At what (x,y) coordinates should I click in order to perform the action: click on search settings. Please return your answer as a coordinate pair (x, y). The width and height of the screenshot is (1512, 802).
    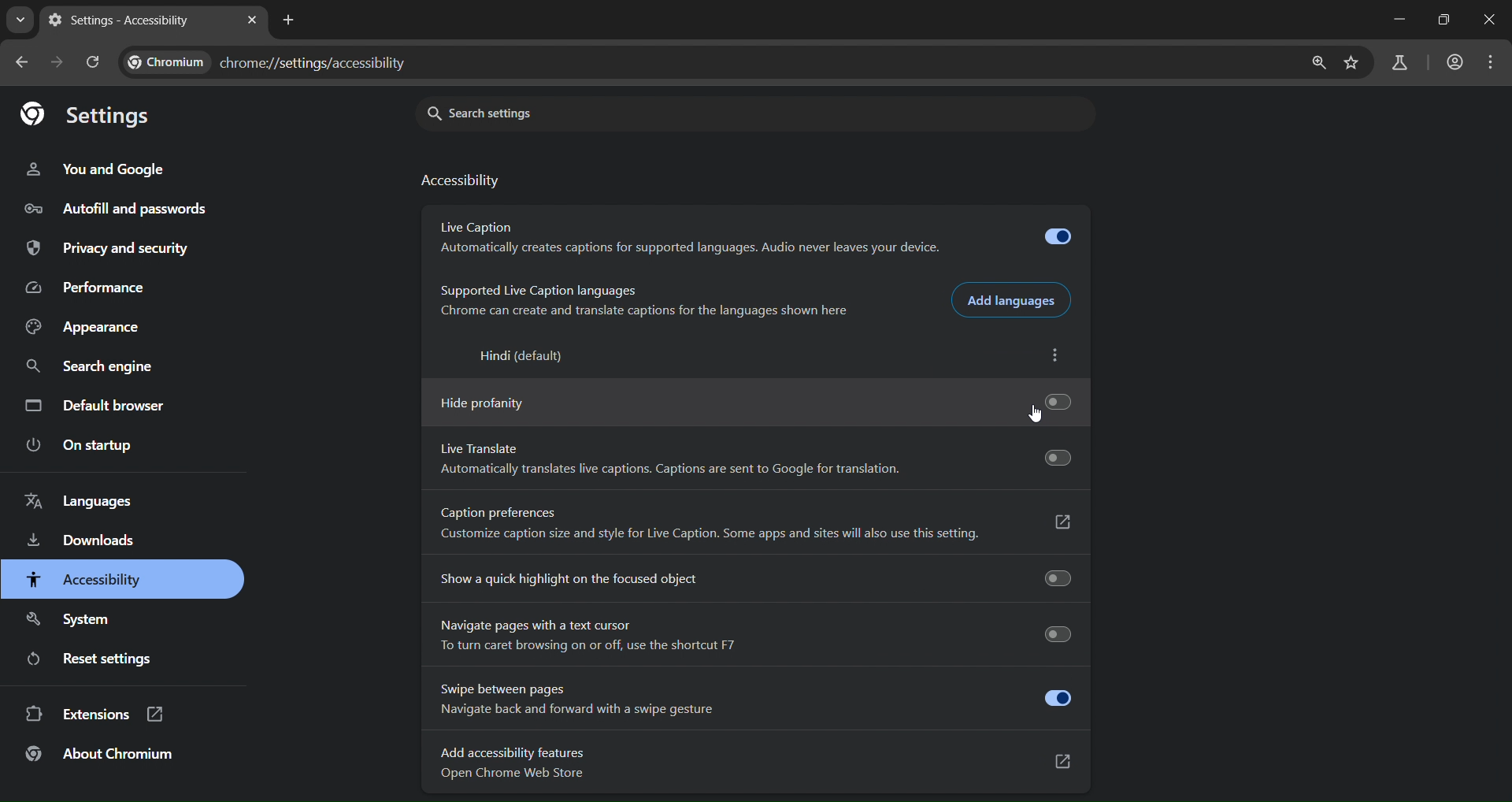
    Looking at the image, I should click on (556, 115).